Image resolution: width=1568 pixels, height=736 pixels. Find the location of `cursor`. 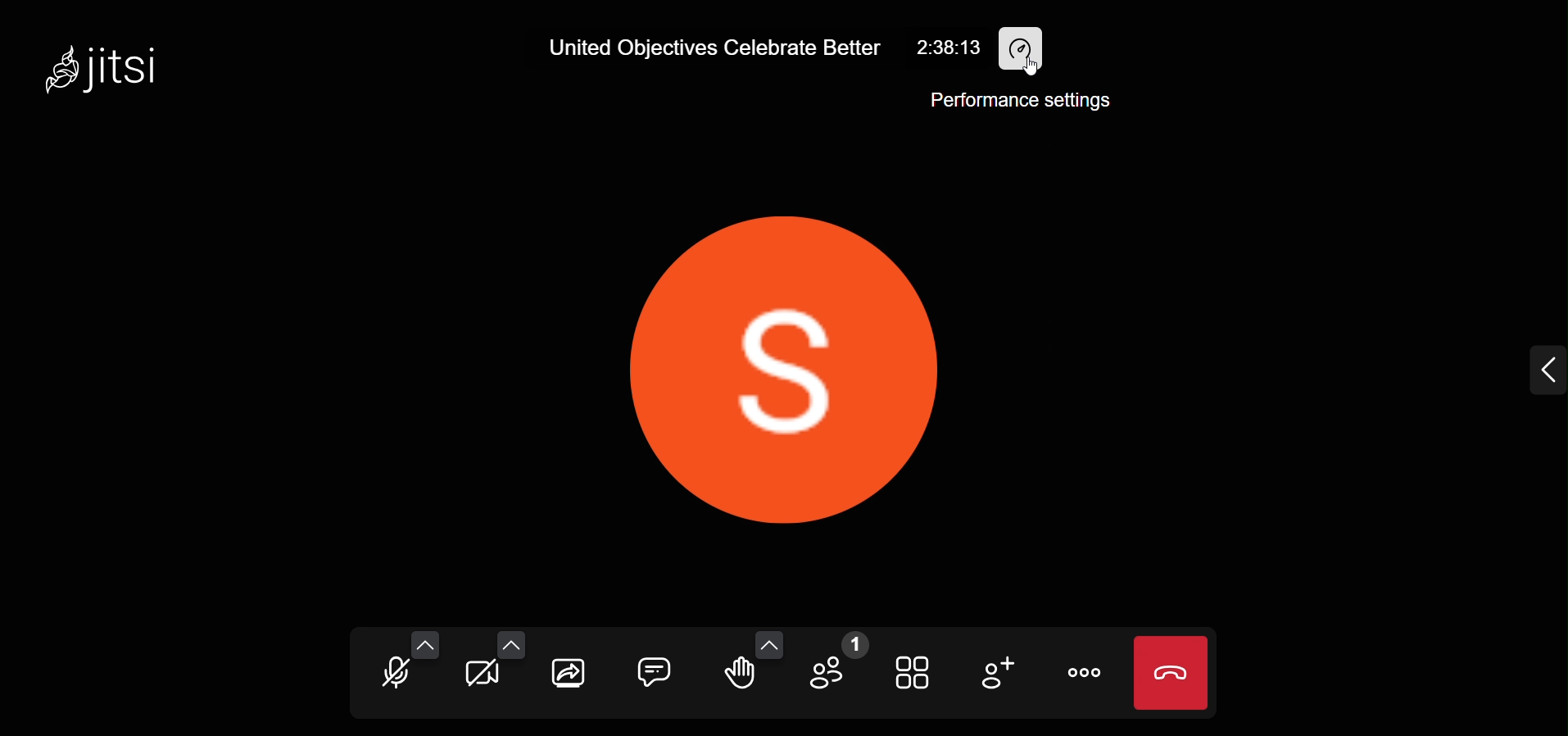

cursor is located at coordinates (1028, 70).